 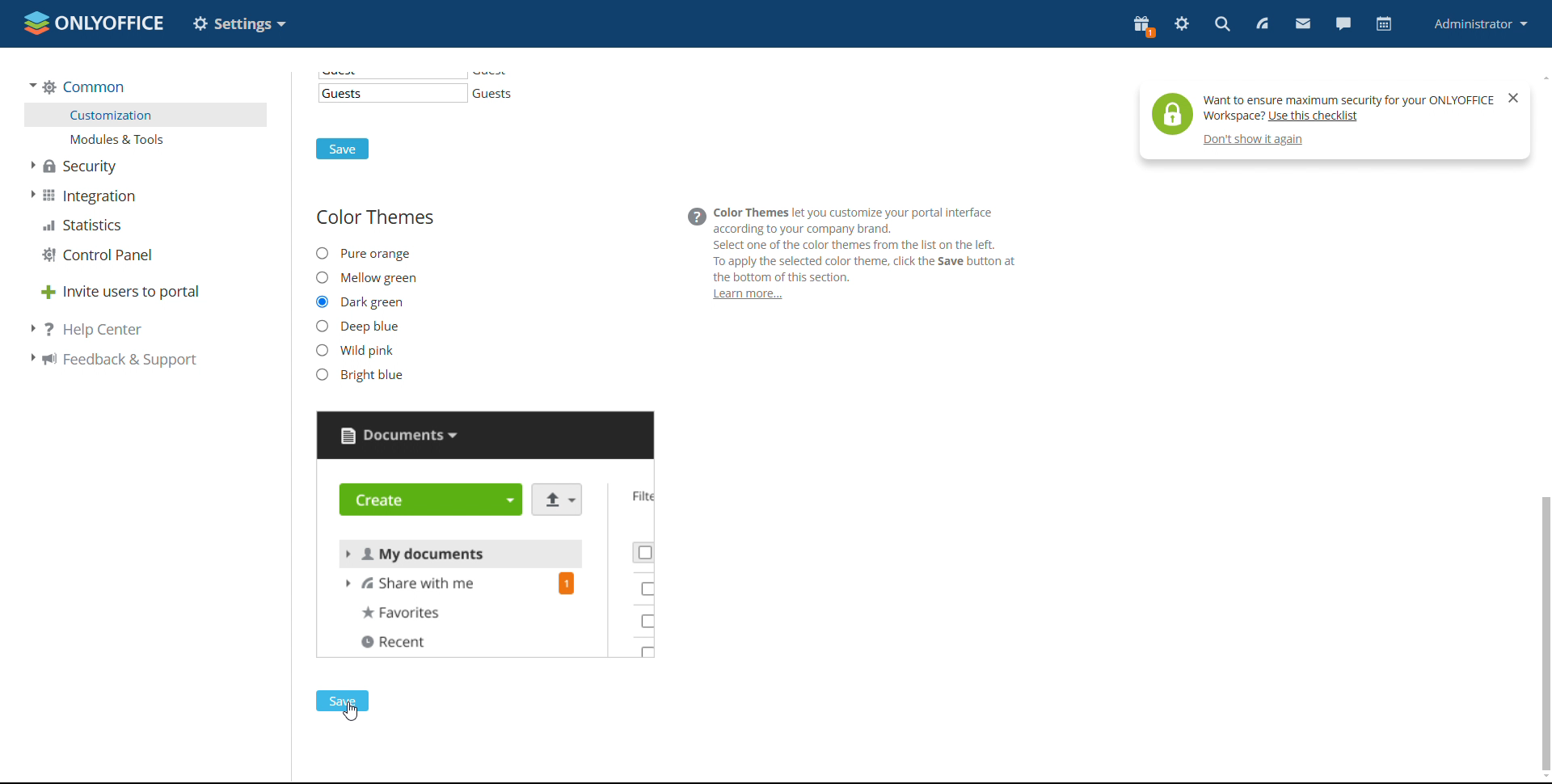 What do you see at coordinates (1303, 23) in the screenshot?
I see `mail` at bounding box center [1303, 23].